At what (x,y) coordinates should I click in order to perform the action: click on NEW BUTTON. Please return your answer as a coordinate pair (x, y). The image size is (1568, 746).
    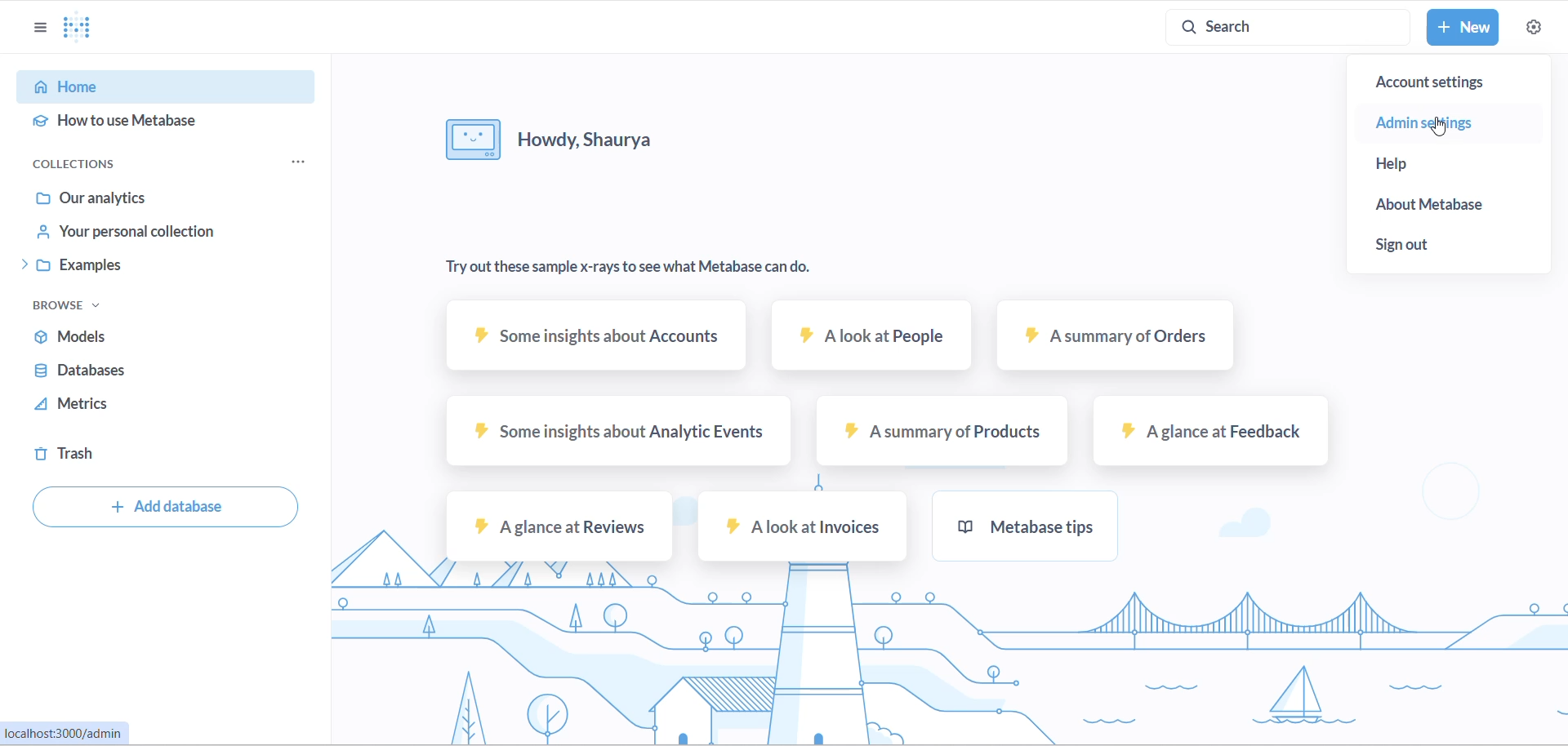
    Looking at the image, I should click on (1463, 27).